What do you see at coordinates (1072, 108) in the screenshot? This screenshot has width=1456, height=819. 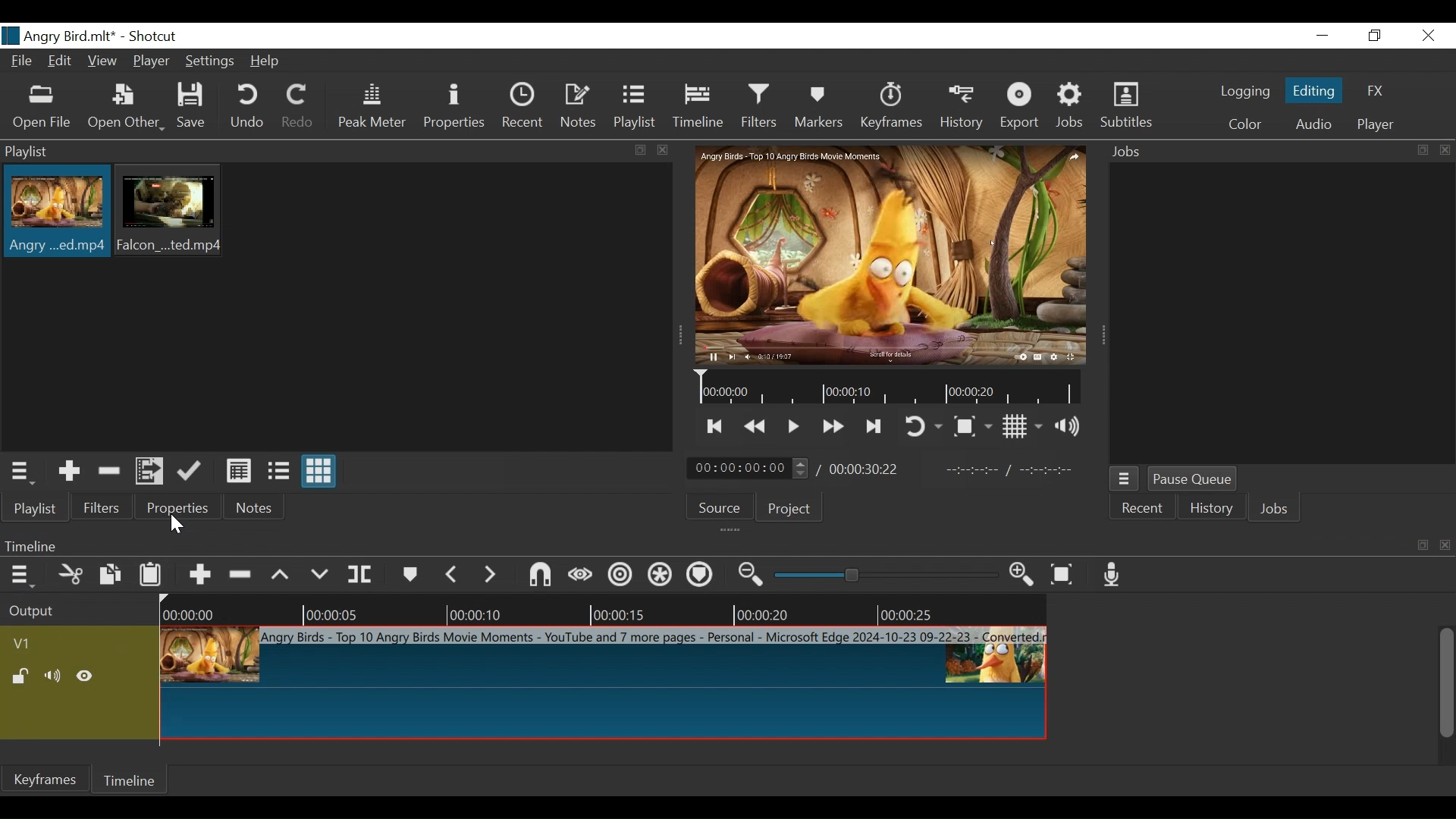 I see `Jobs` at bounding box center [1072, 108].